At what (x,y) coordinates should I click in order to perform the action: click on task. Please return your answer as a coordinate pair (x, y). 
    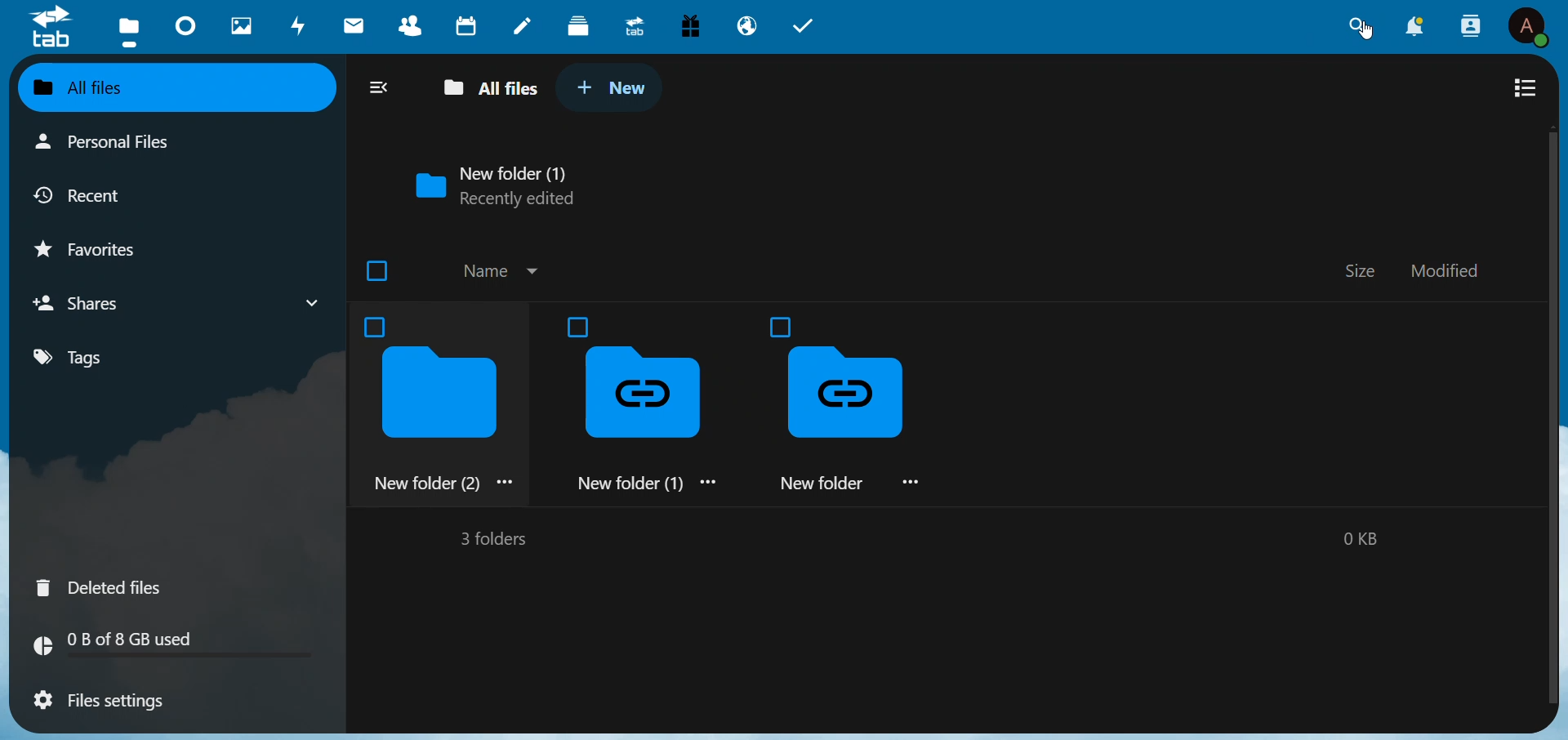
    Looking at the image, I should click on (808, 26).